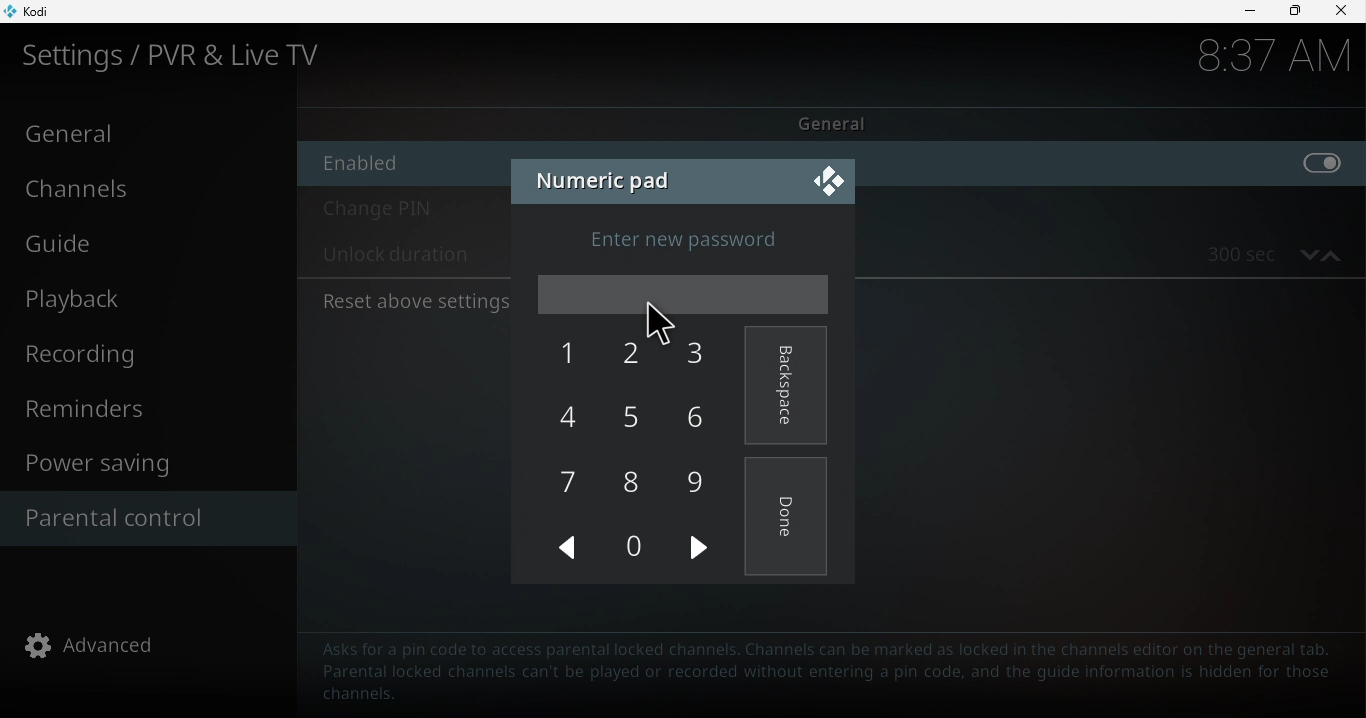 The height and width of the screenshot is (718, 1366). What do you see at coordinates (1294, 11) in the screenshot?
I see `Maximize` at bounding box center [1294, 11].